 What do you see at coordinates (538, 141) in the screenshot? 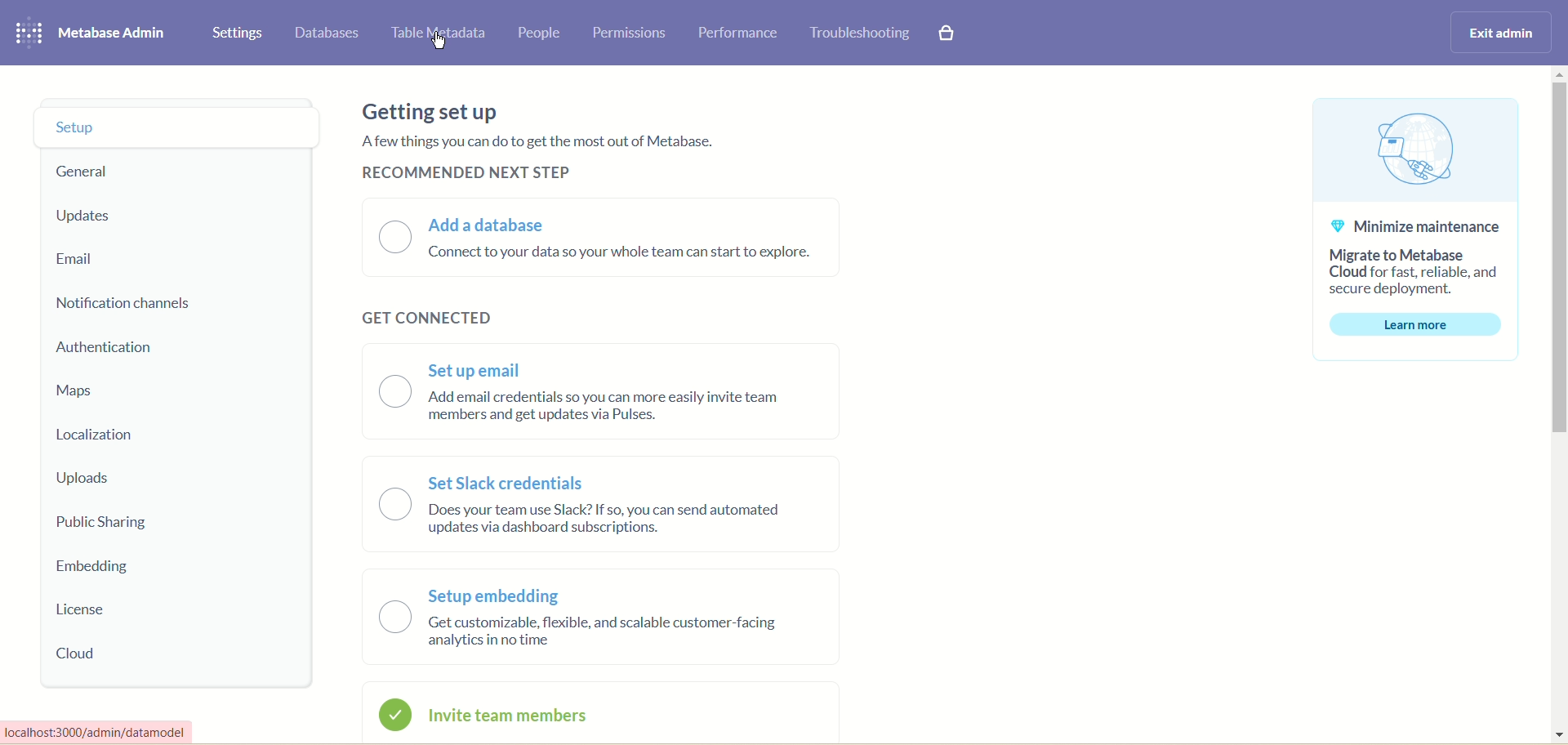
I see `A few things you can do to get the most out of Metabase.` at bounding box center [538, 141].